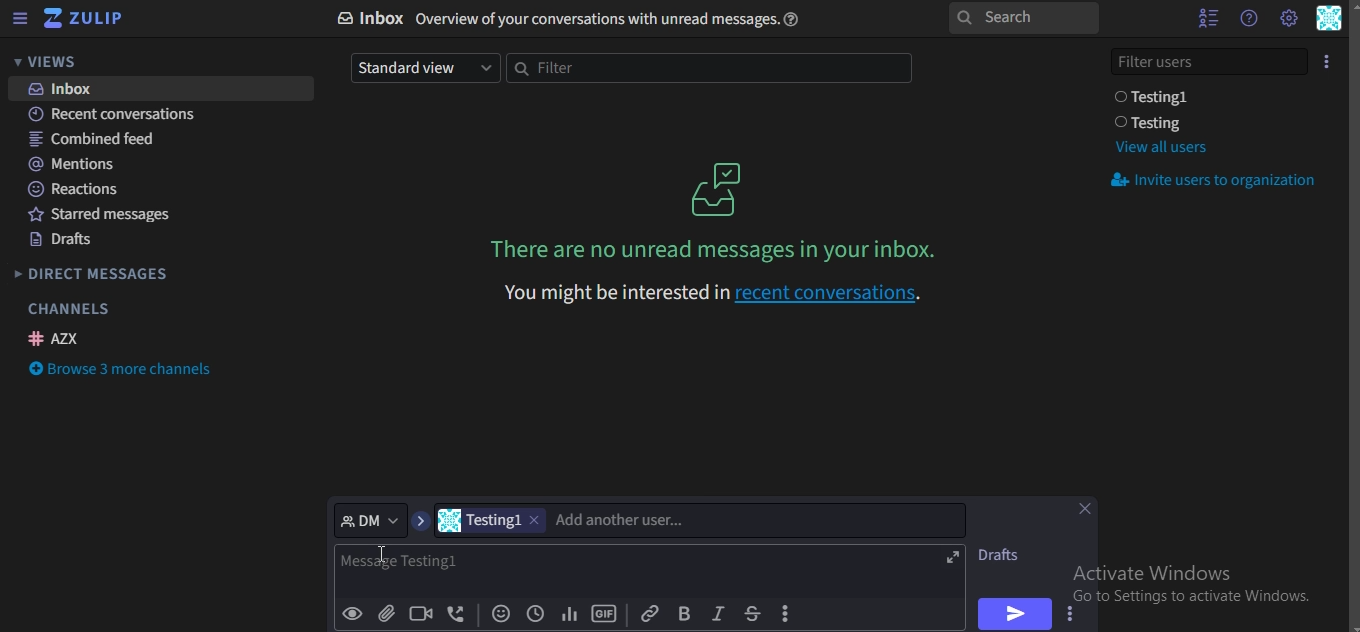 The image size is (1360, 632). I want to click on preview, so click(353, 614).